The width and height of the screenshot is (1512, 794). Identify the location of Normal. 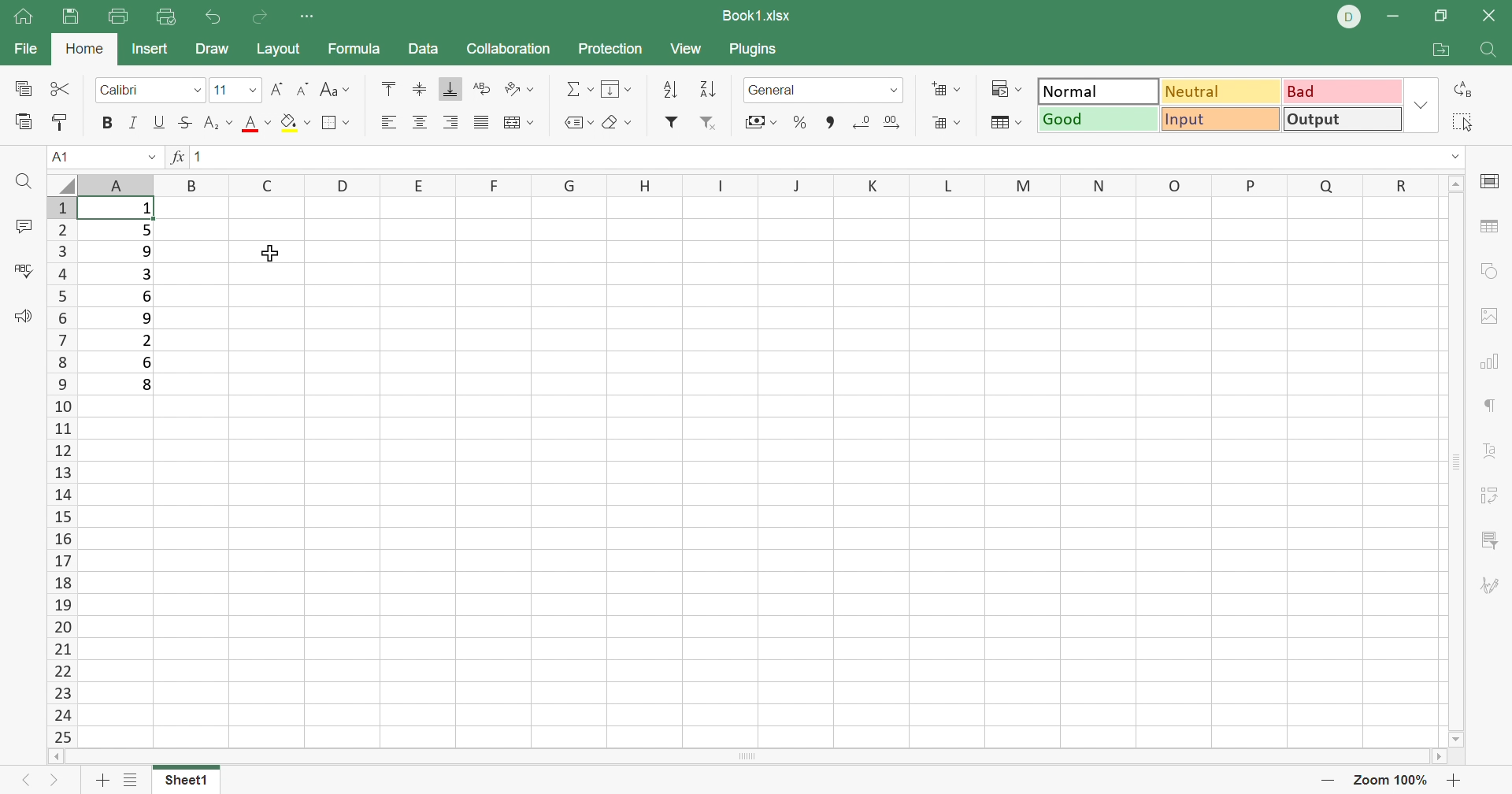
(1096, 91).